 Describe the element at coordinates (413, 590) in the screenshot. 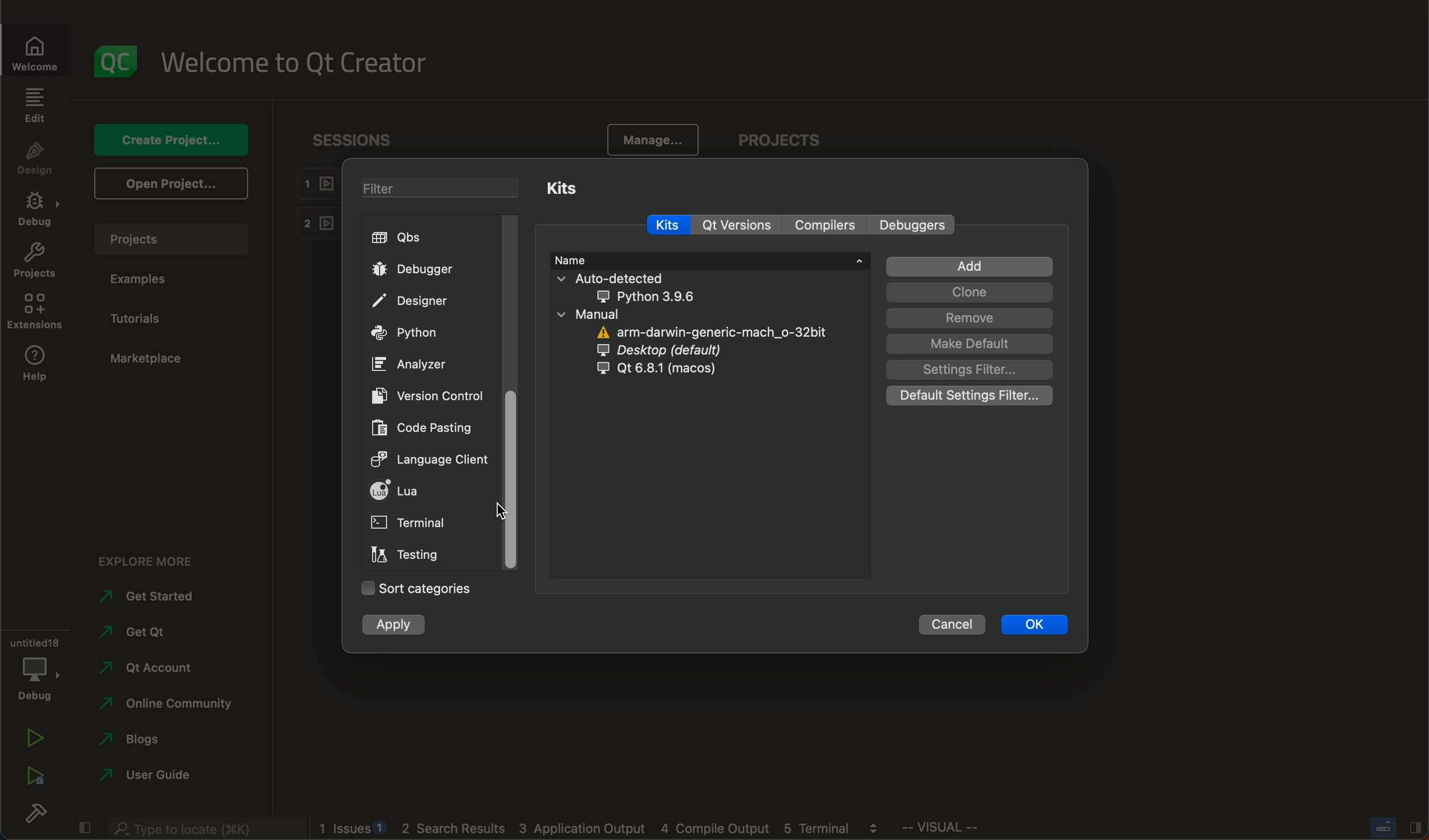

I see `categories` at that location.